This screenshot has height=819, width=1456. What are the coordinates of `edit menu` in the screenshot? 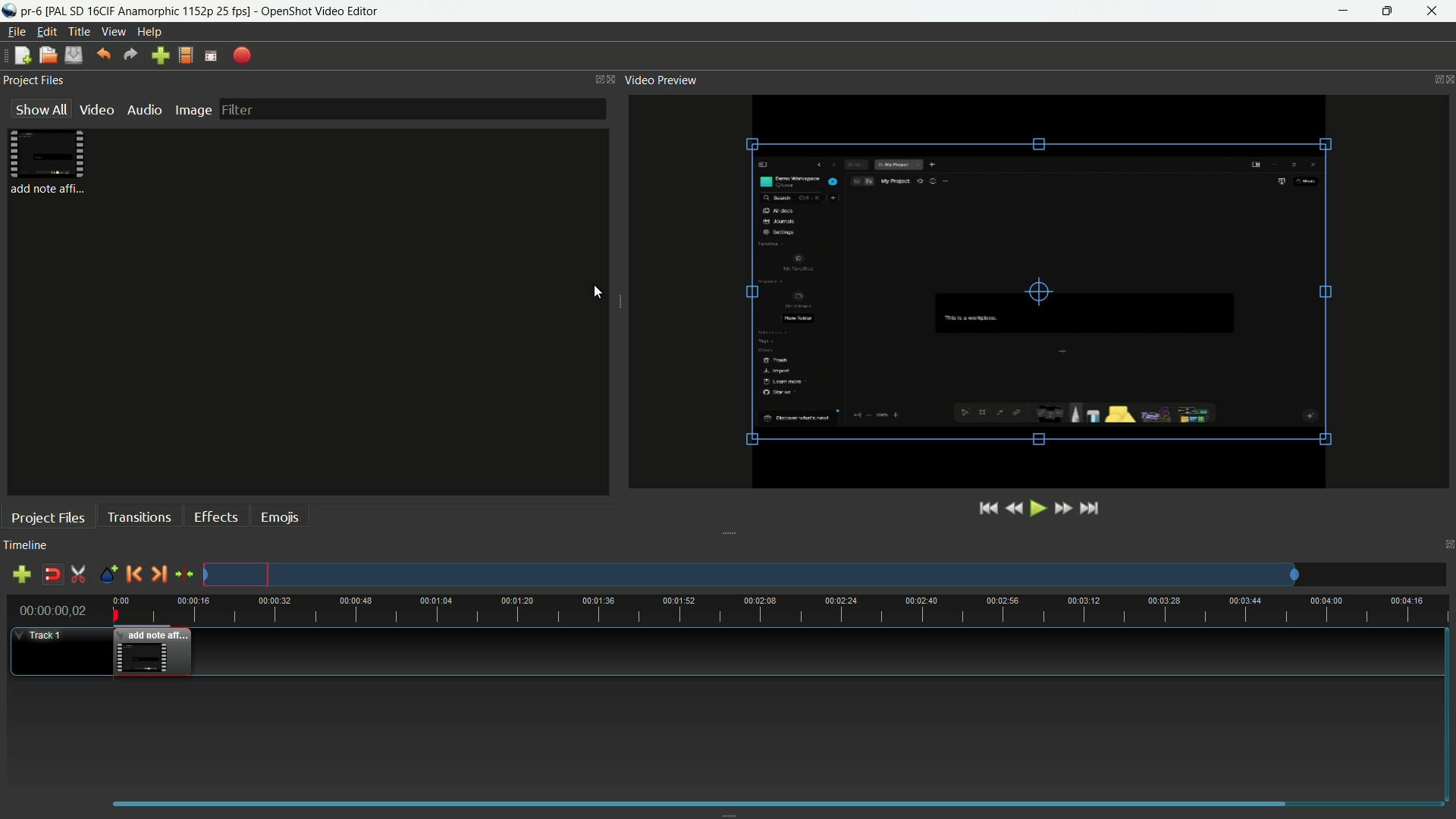 It's located at (46, 31).